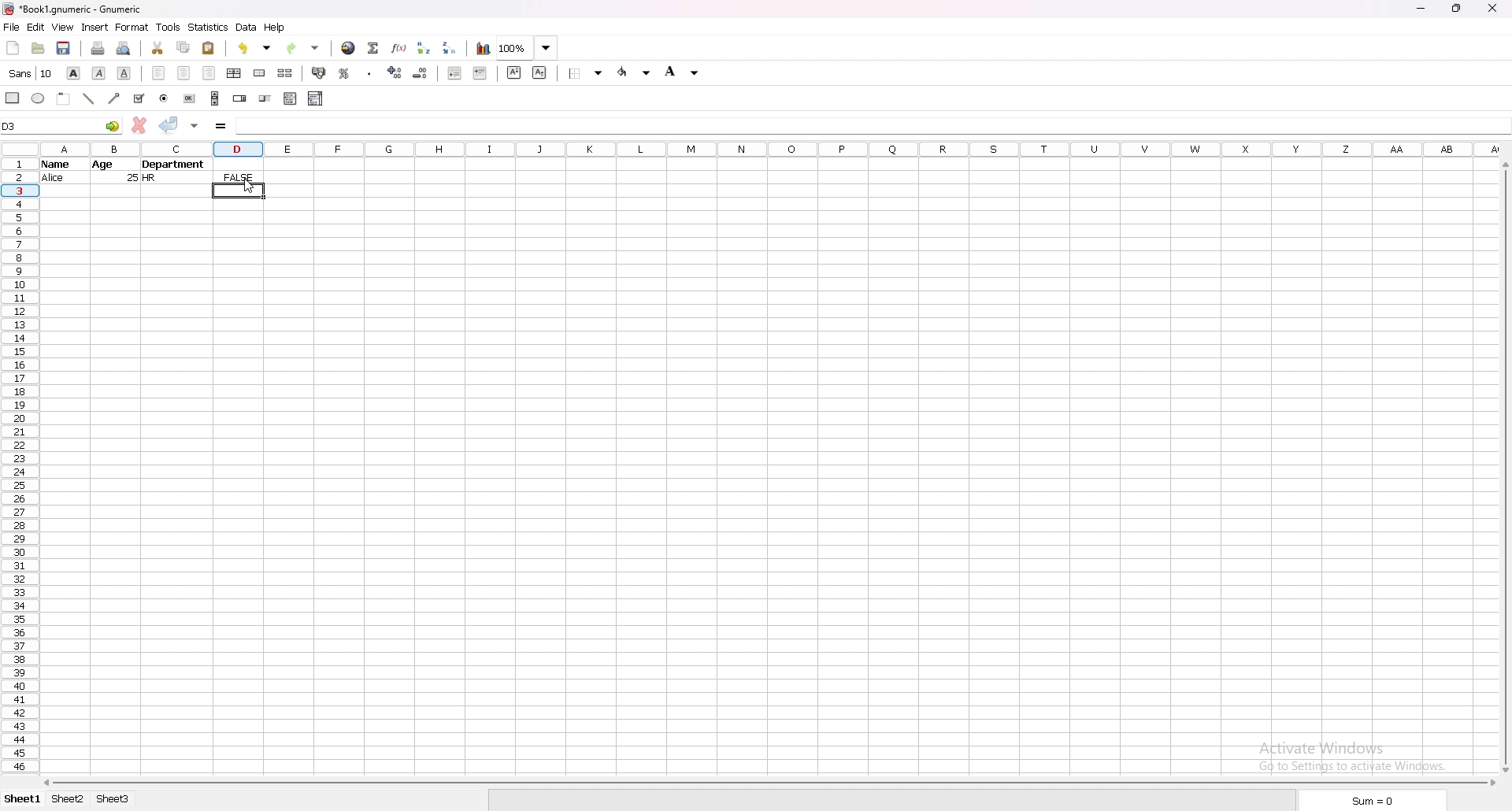 The image size is (1512, 811). What do you see at coordinates (540, 72) in the screenshot?
I see `subscript` at bounding box center [540, 72].